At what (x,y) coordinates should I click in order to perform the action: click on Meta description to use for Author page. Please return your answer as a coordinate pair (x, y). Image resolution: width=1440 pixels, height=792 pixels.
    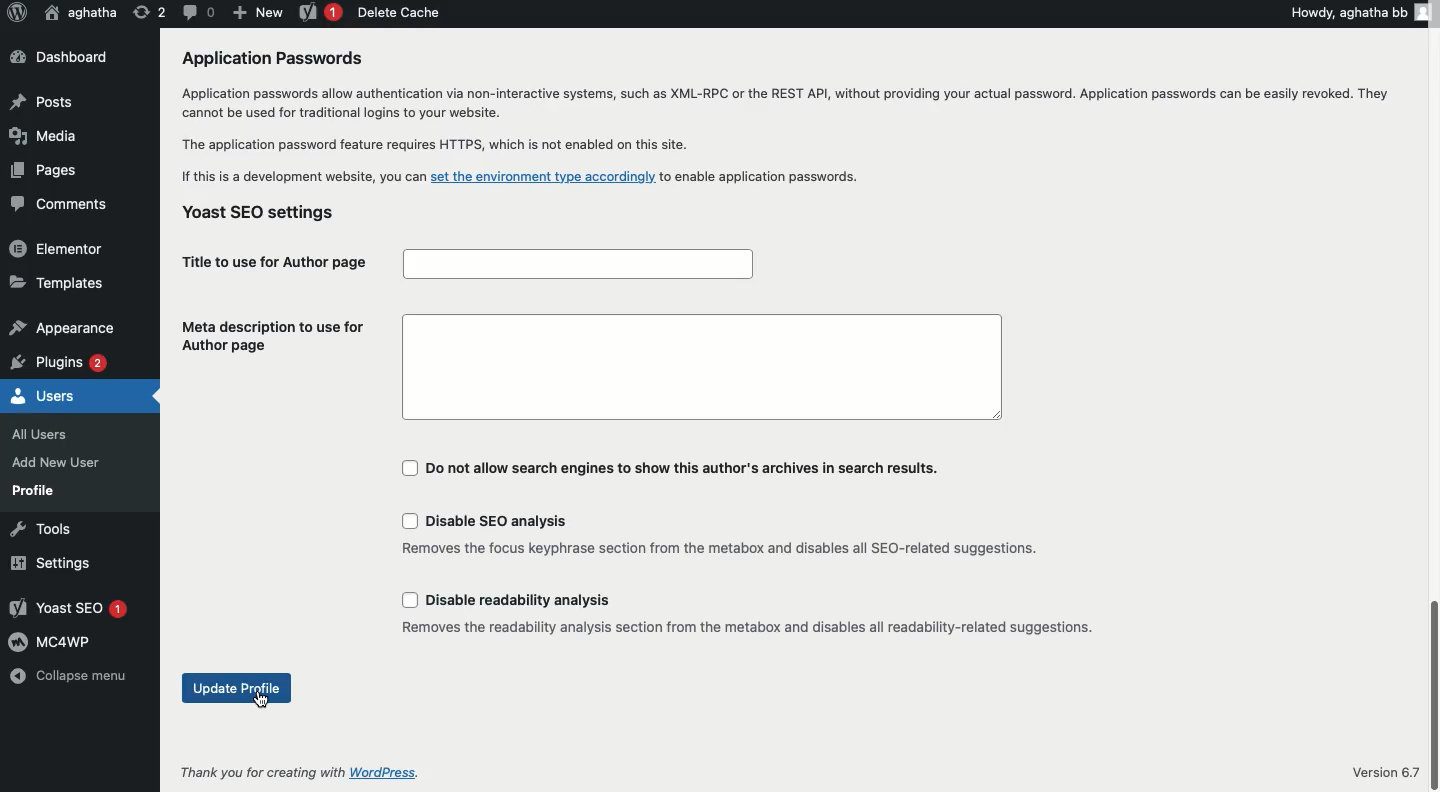
    Looking at the image, I should click on (601, 367).